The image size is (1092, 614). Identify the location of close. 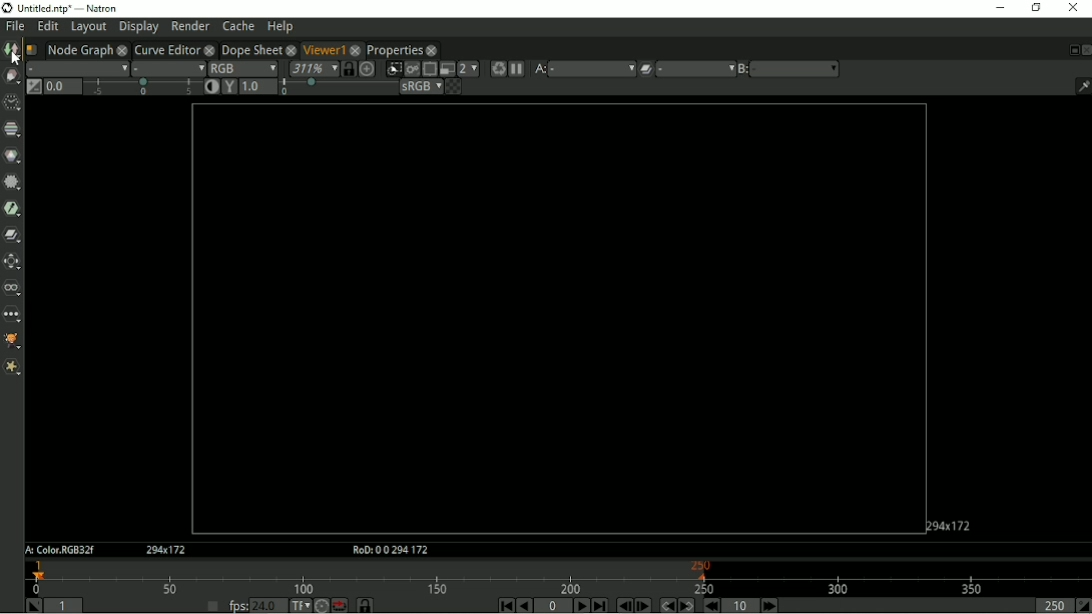
(290, 49).